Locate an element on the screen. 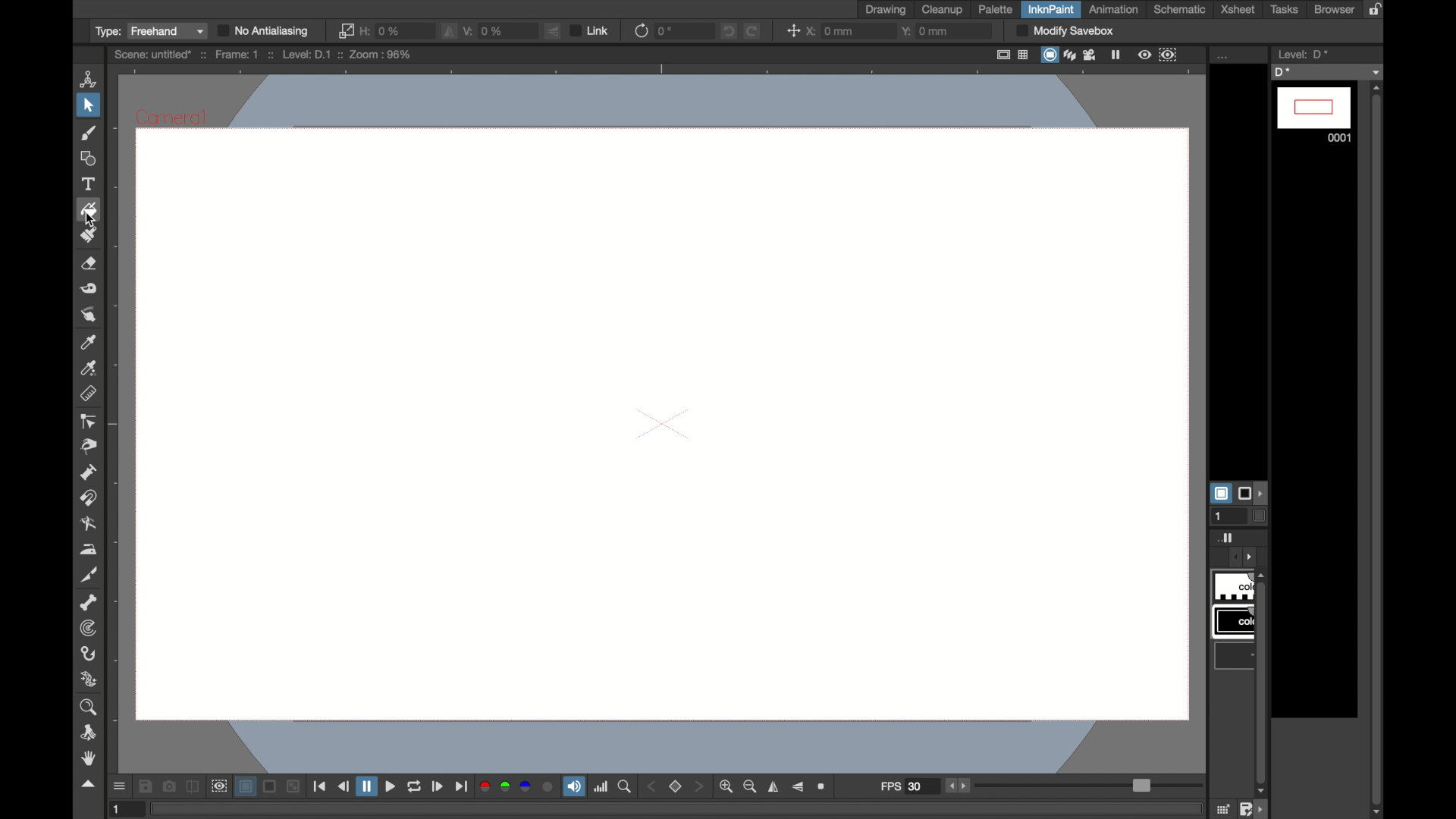 This screenshot has width=1456, height=819. pause is located at coordinates (1119, 55).